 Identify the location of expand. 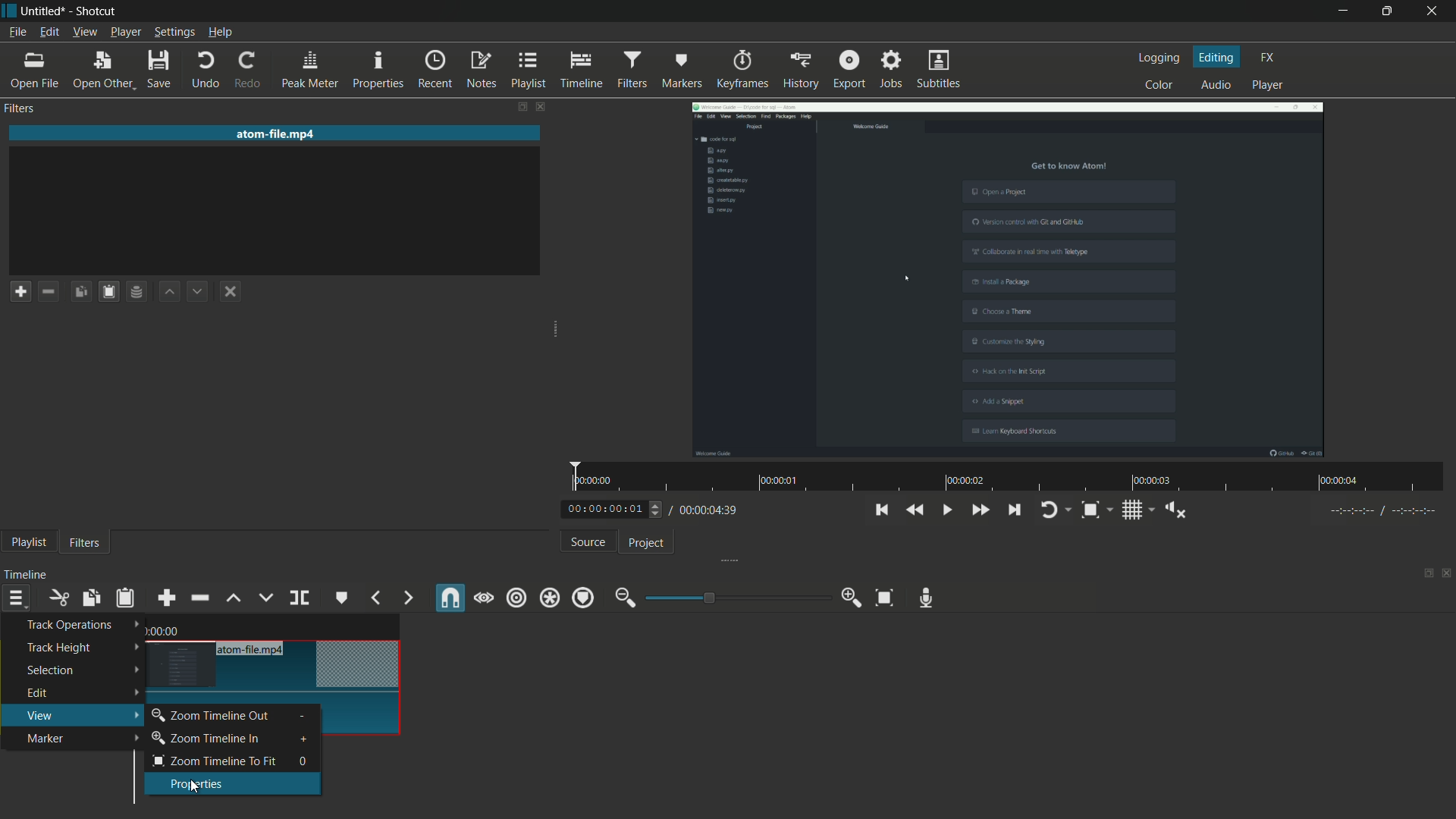
(724, 562).